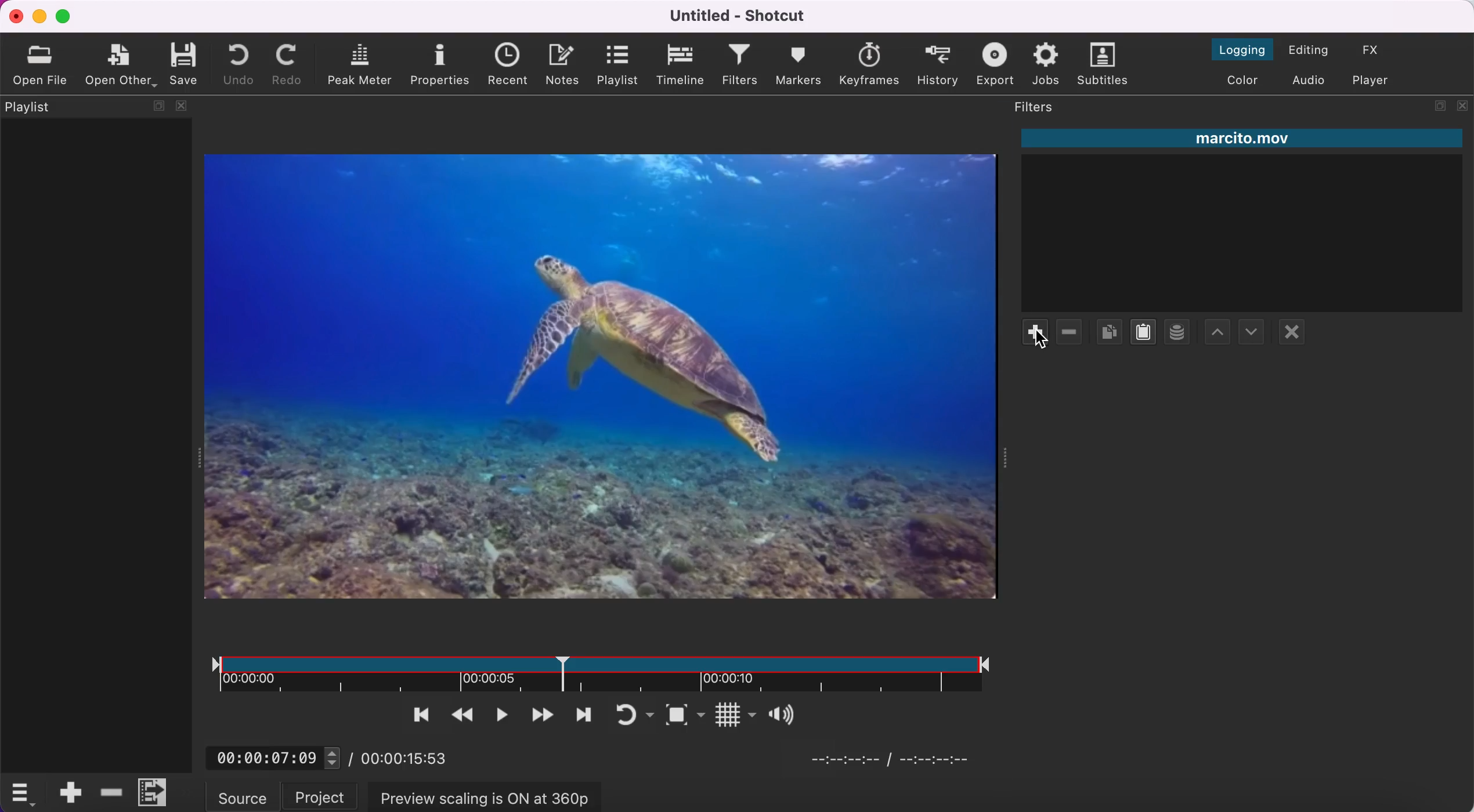 This screenshot has height=812, width=1474. What do you see at coordinates (1439, 108) in the screenshot?
I see `maximize` at bounding box center [1439, 108].